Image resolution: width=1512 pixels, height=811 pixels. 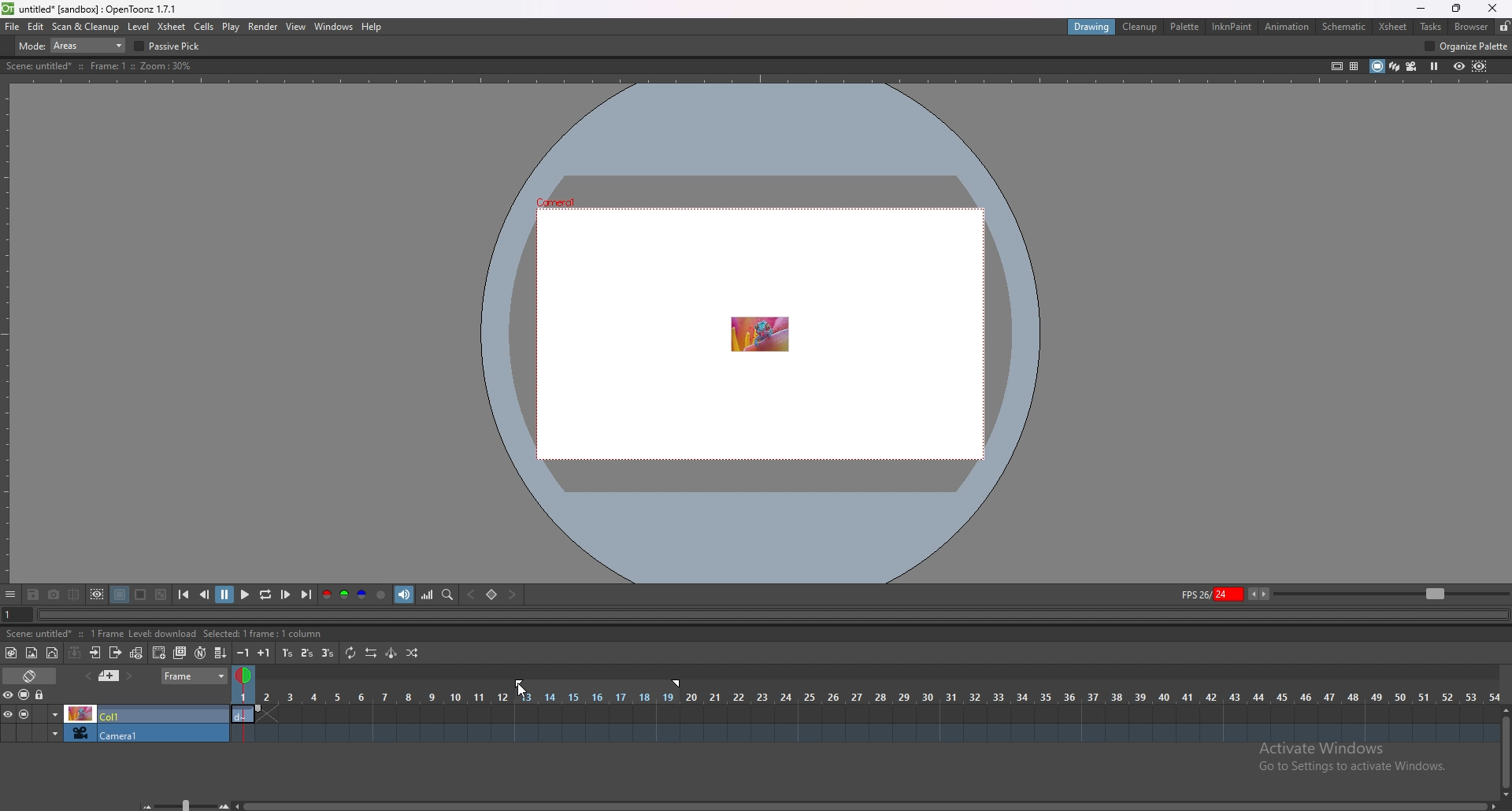 I want to click on pause, so click(x=226, y=593).